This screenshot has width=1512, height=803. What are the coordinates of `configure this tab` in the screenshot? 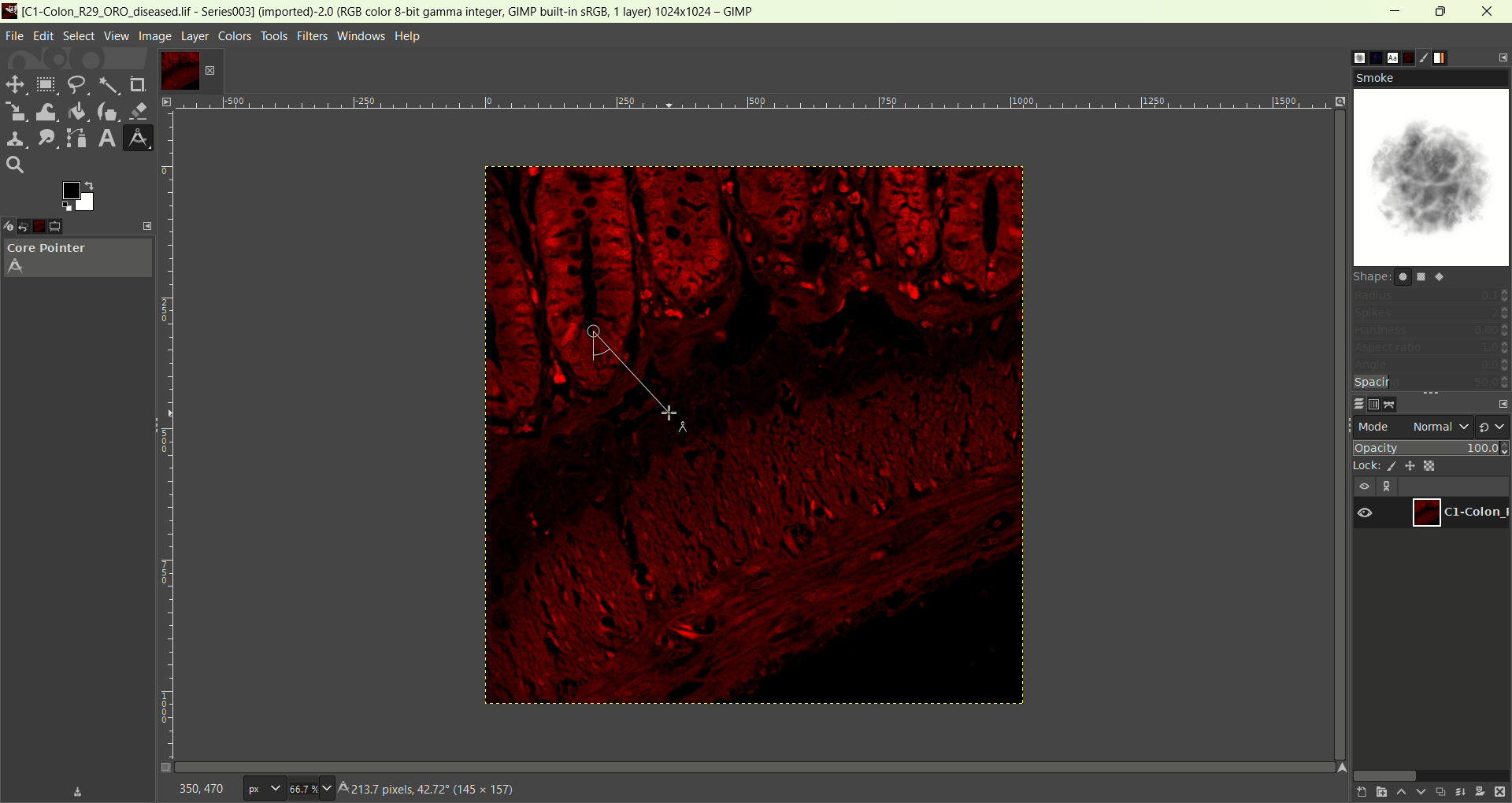 It's located at (148, 225).